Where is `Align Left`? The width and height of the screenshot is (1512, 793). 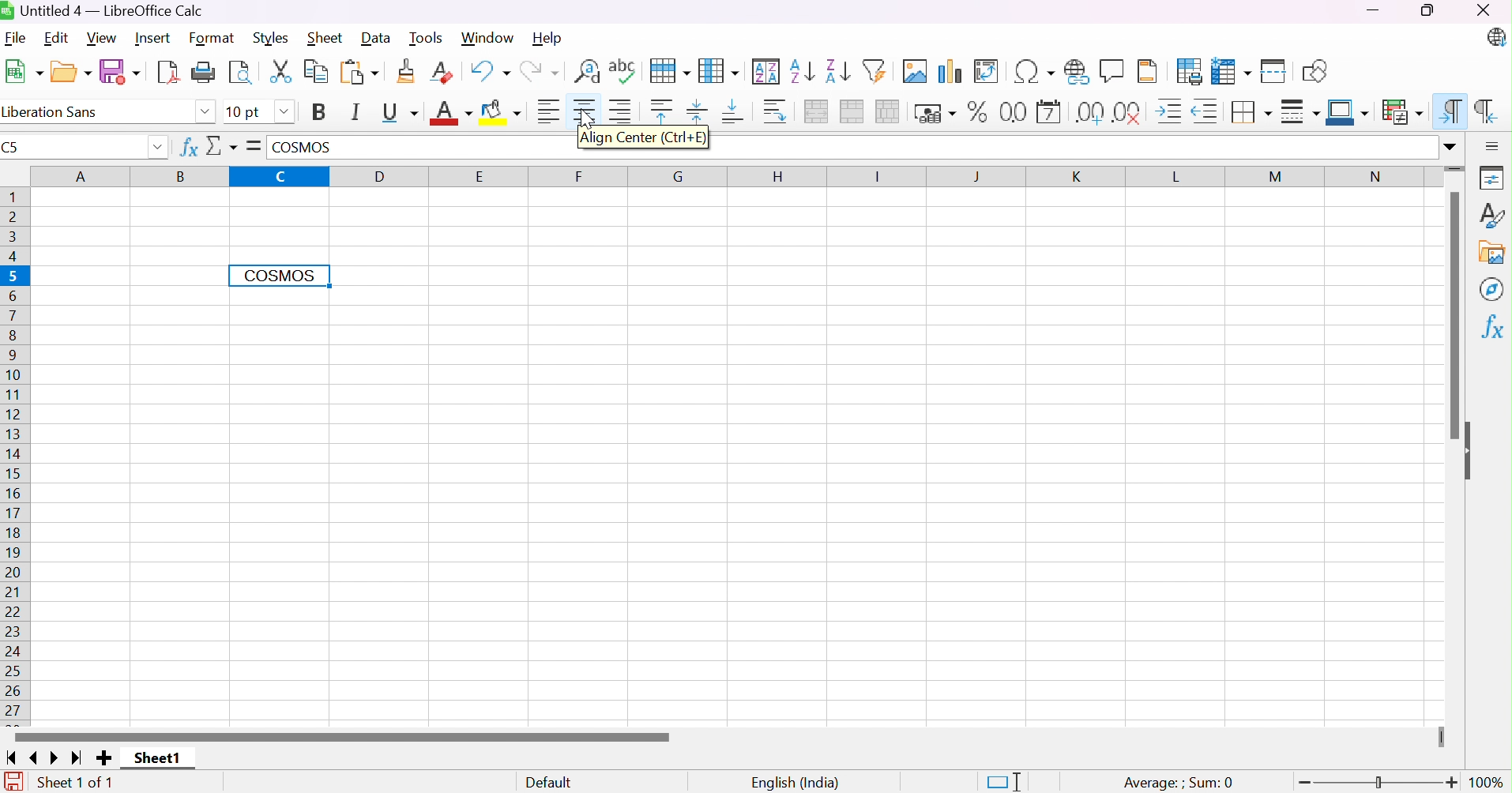 Align Left is located at coordinates (550, 112).